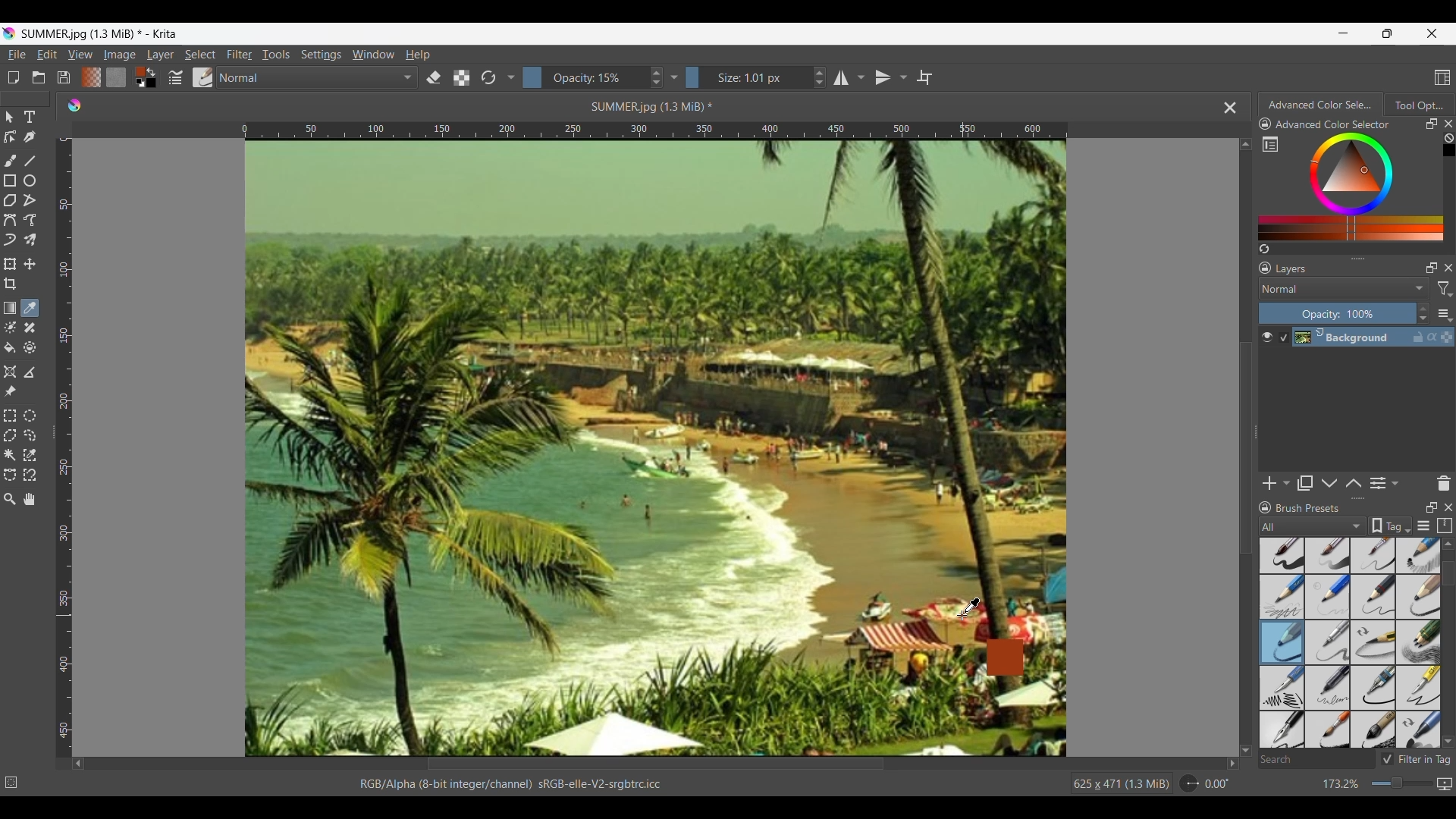  Describe the element at coordinates (1448, 574) in the screenshot. I see `Vertical slide bar for brush` at that location.